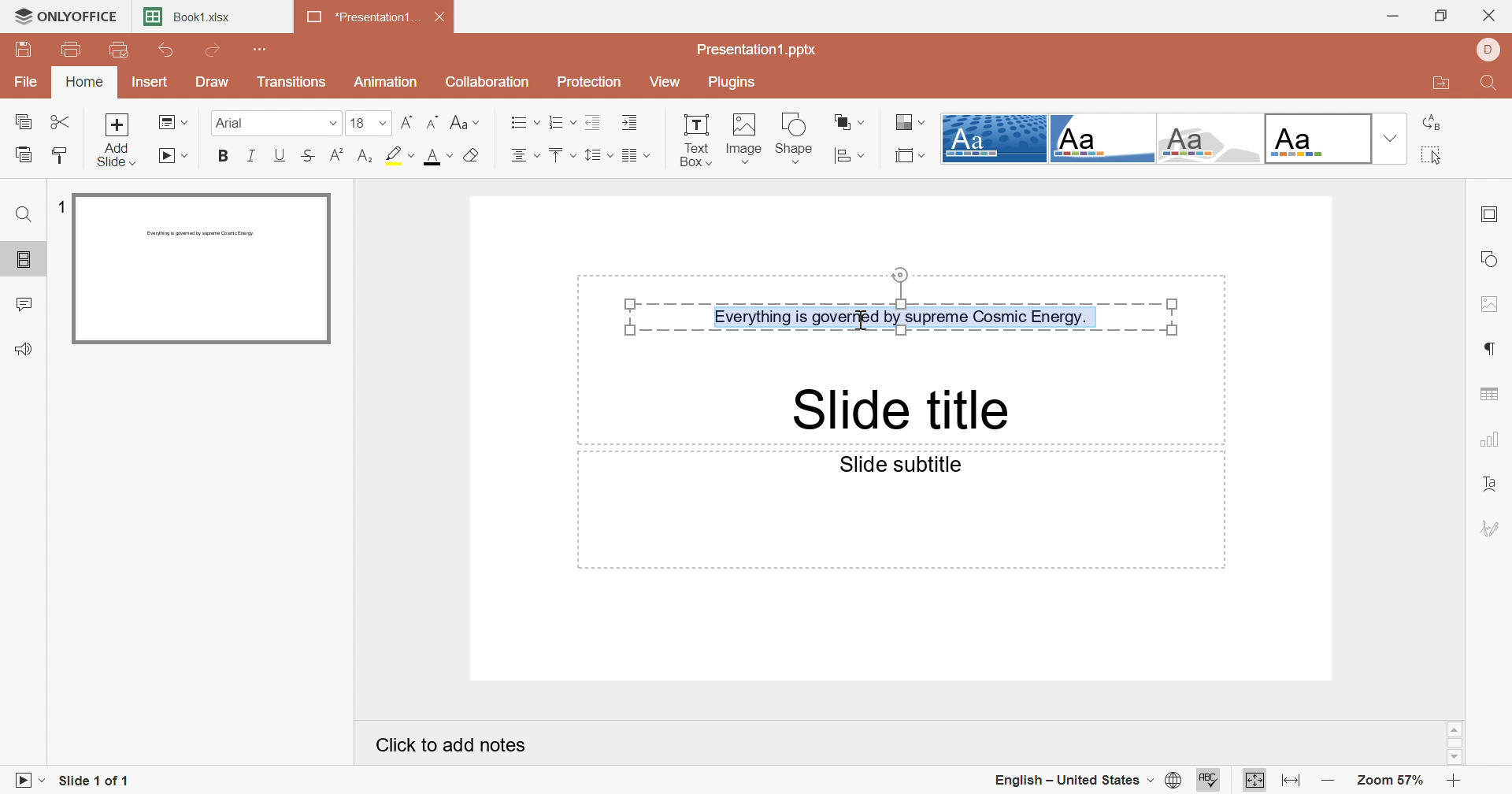 Image resolution: width=1512 pixels, height=794 pixels. I want to click on Protection, so click(589, 83).